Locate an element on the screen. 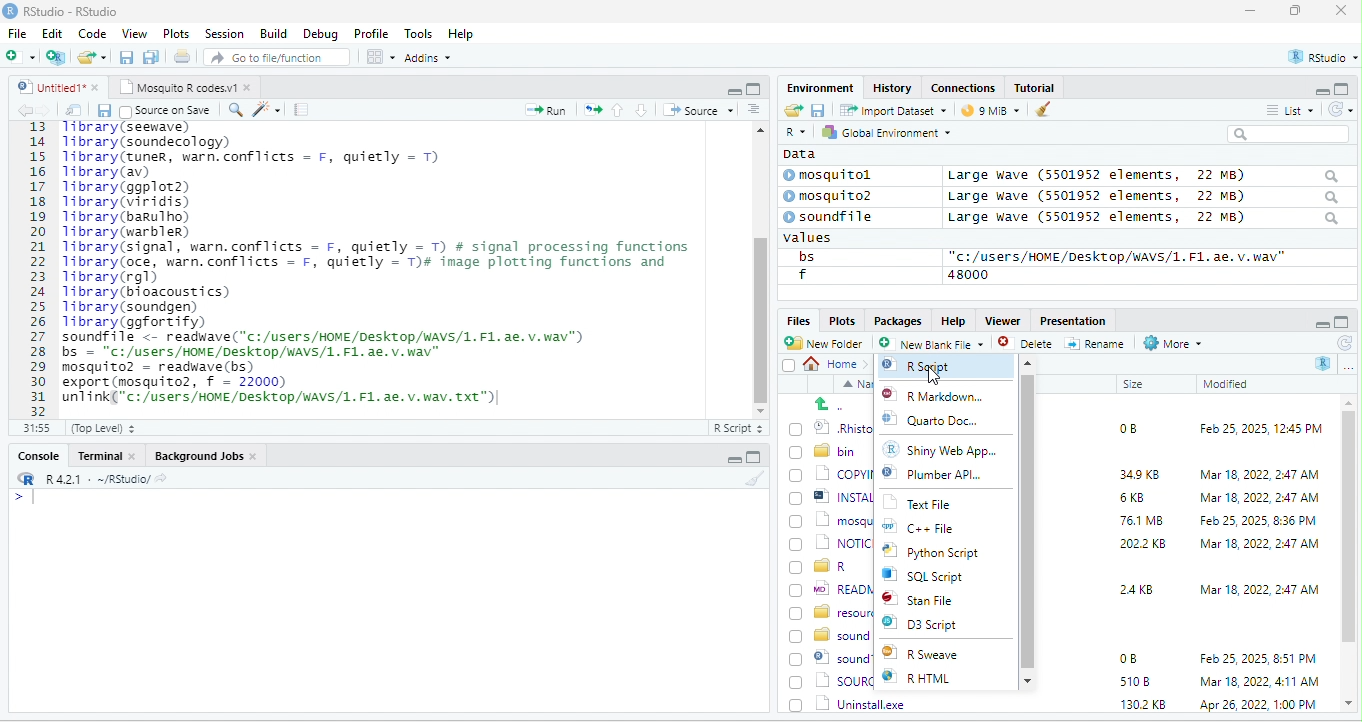 This screenshot has width=1362, height=722. folder is located at coordinates (94, 57).